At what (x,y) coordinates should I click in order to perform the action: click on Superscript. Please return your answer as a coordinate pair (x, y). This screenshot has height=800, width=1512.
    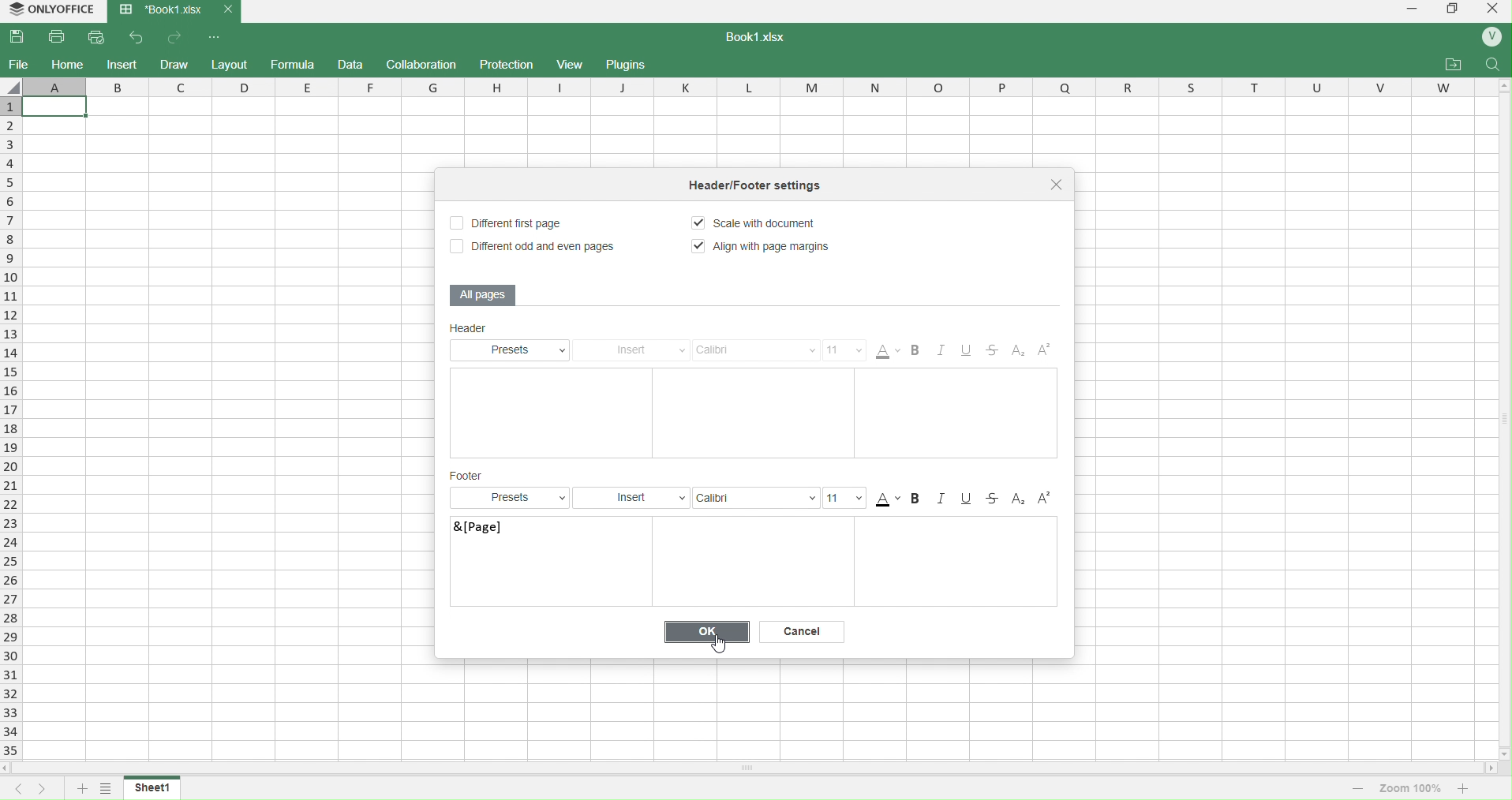
    Looking at the image, I should click on (1045, 499).